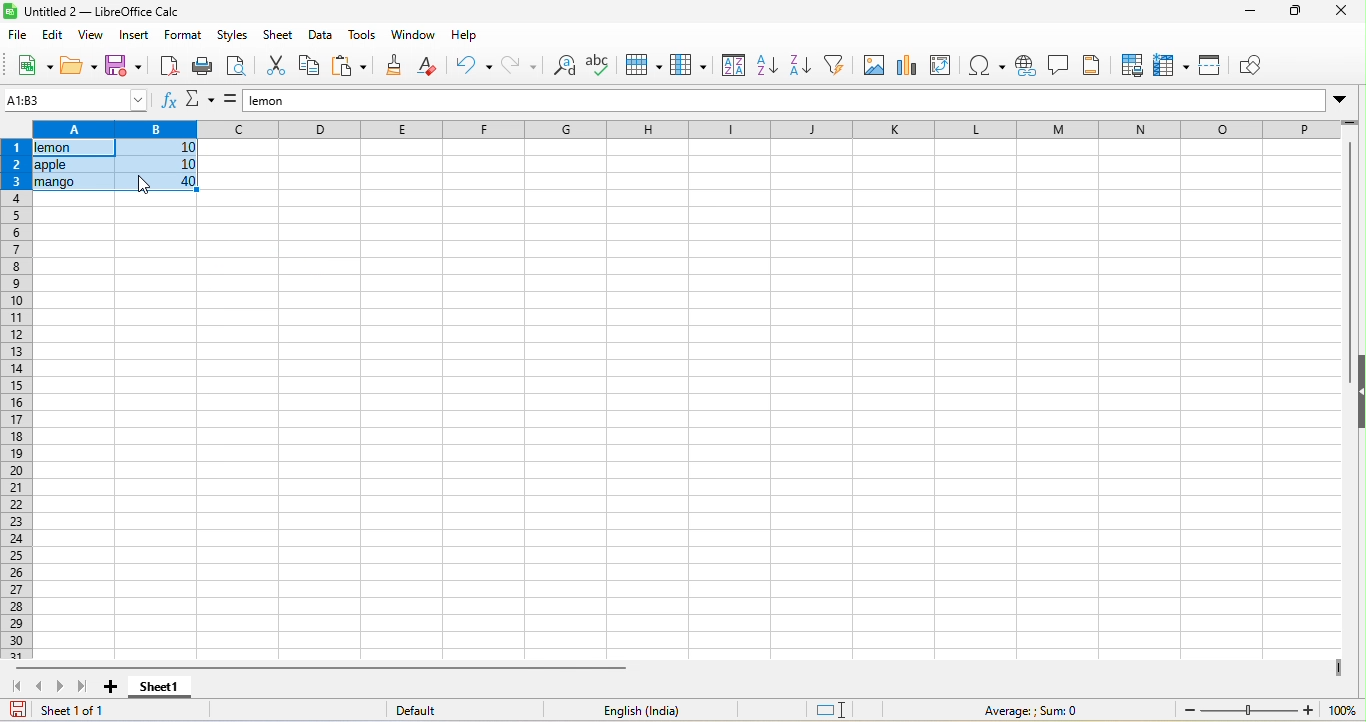 This screenshot has width=1366, height=722. What do you see at coordinates (72, 712) in the screenshot?
I see `sheet 1 of 1` at bounding box center [72, 712].